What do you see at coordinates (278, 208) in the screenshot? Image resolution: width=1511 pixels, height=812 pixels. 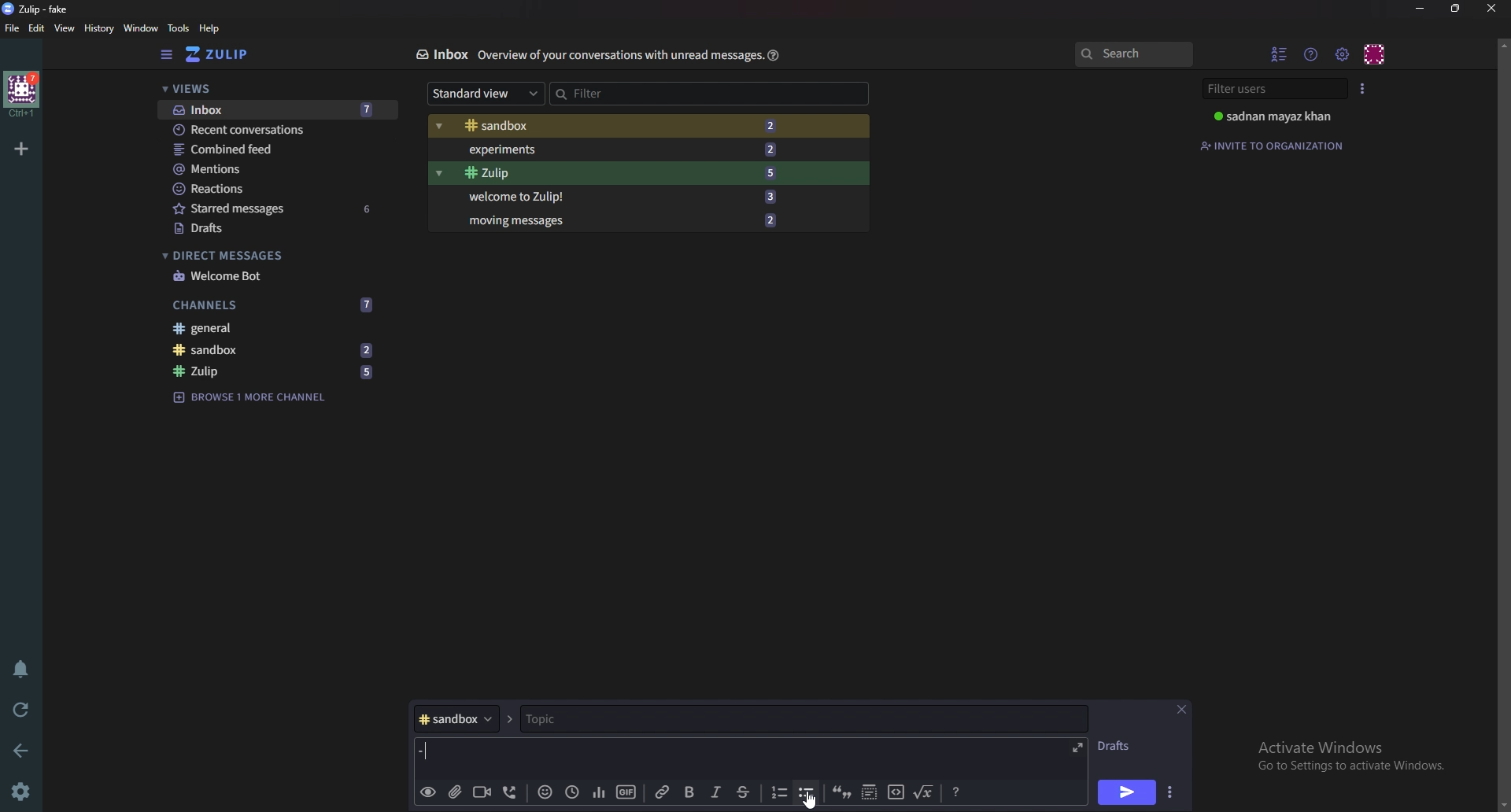 I see `Starred messages` at bounding box center [278, 208].